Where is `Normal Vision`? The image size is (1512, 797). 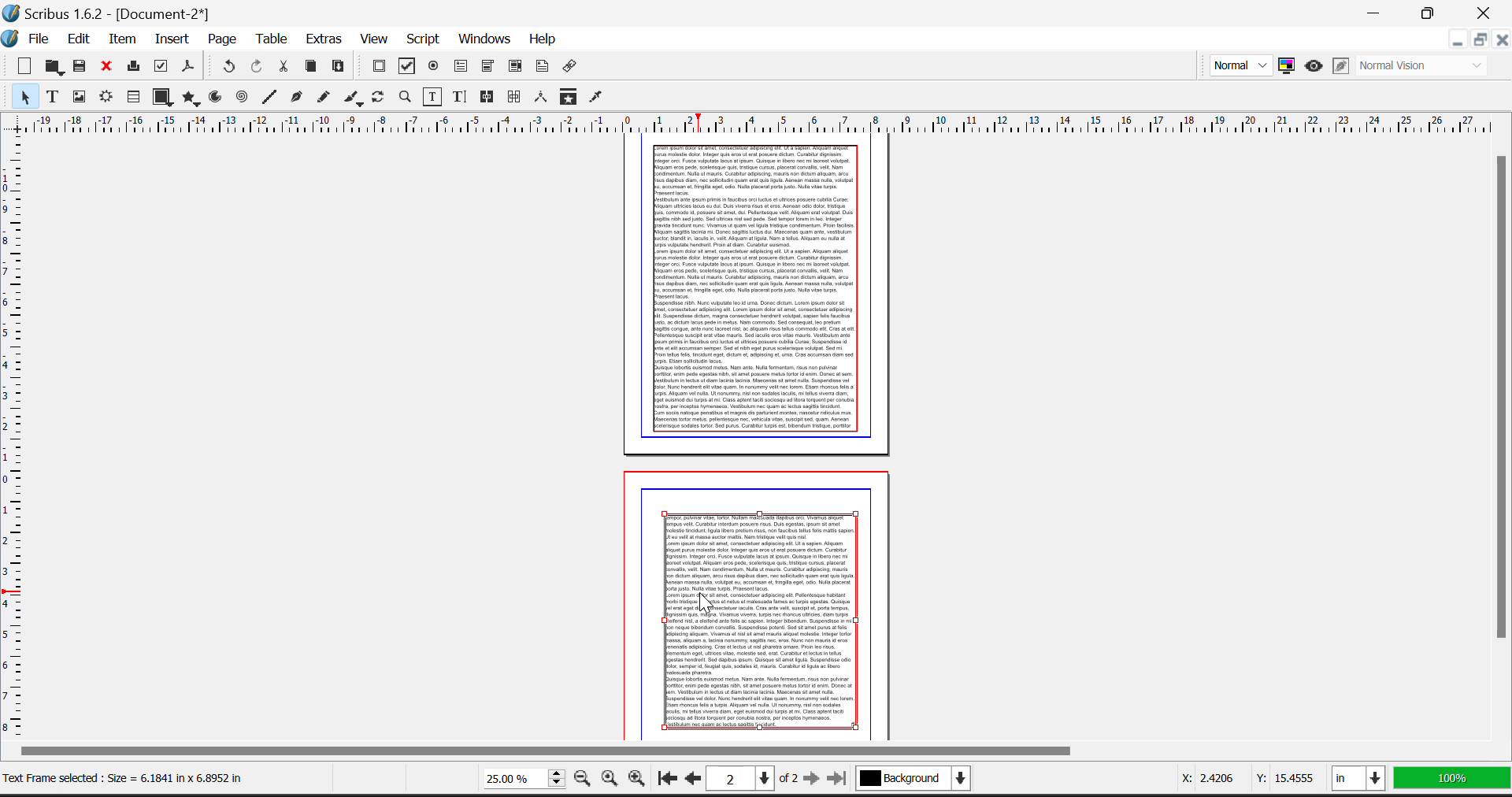 Normal Vision is located at coordinates (1428, 65).